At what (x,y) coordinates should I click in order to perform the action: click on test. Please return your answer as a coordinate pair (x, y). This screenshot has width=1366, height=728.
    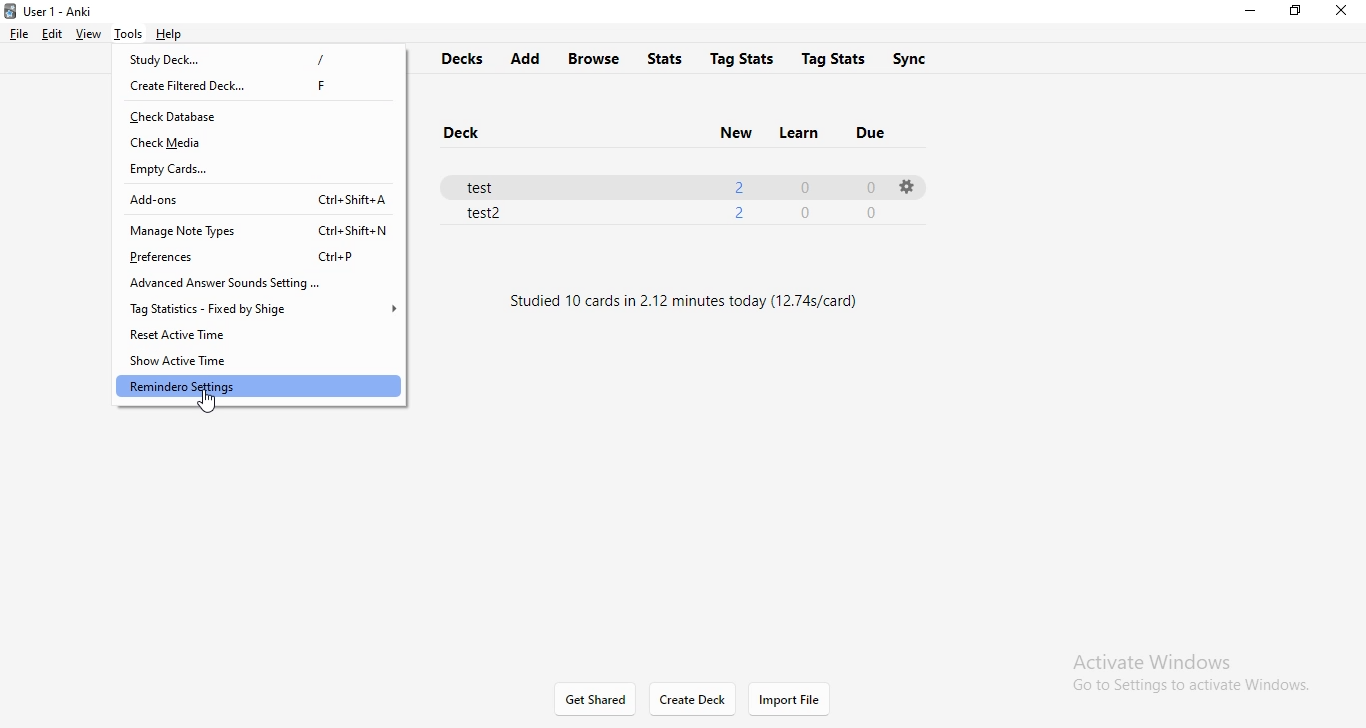
    Looking at the image, I should click on (489, 184).